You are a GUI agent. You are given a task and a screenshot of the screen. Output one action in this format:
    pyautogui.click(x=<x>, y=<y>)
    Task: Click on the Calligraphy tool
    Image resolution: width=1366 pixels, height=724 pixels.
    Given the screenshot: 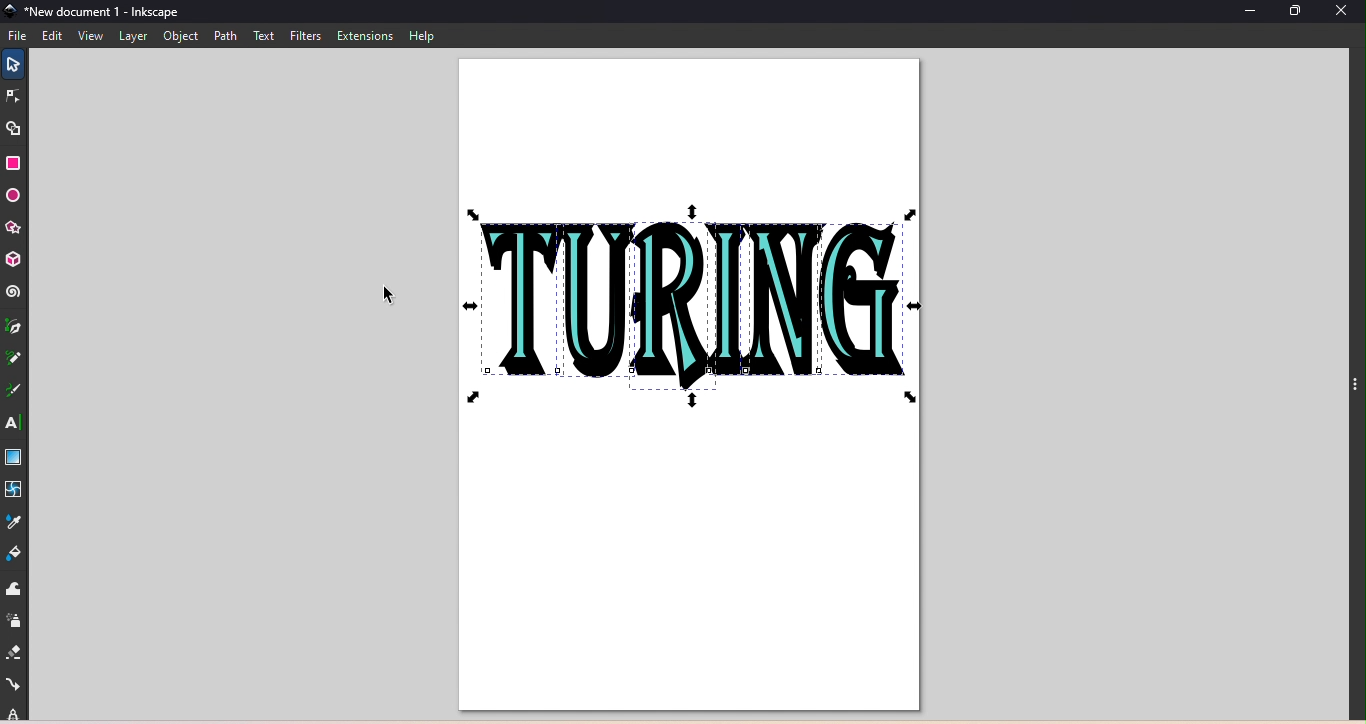 What is the action you would take?
    pyautogui.click(x=17, y=392)
    